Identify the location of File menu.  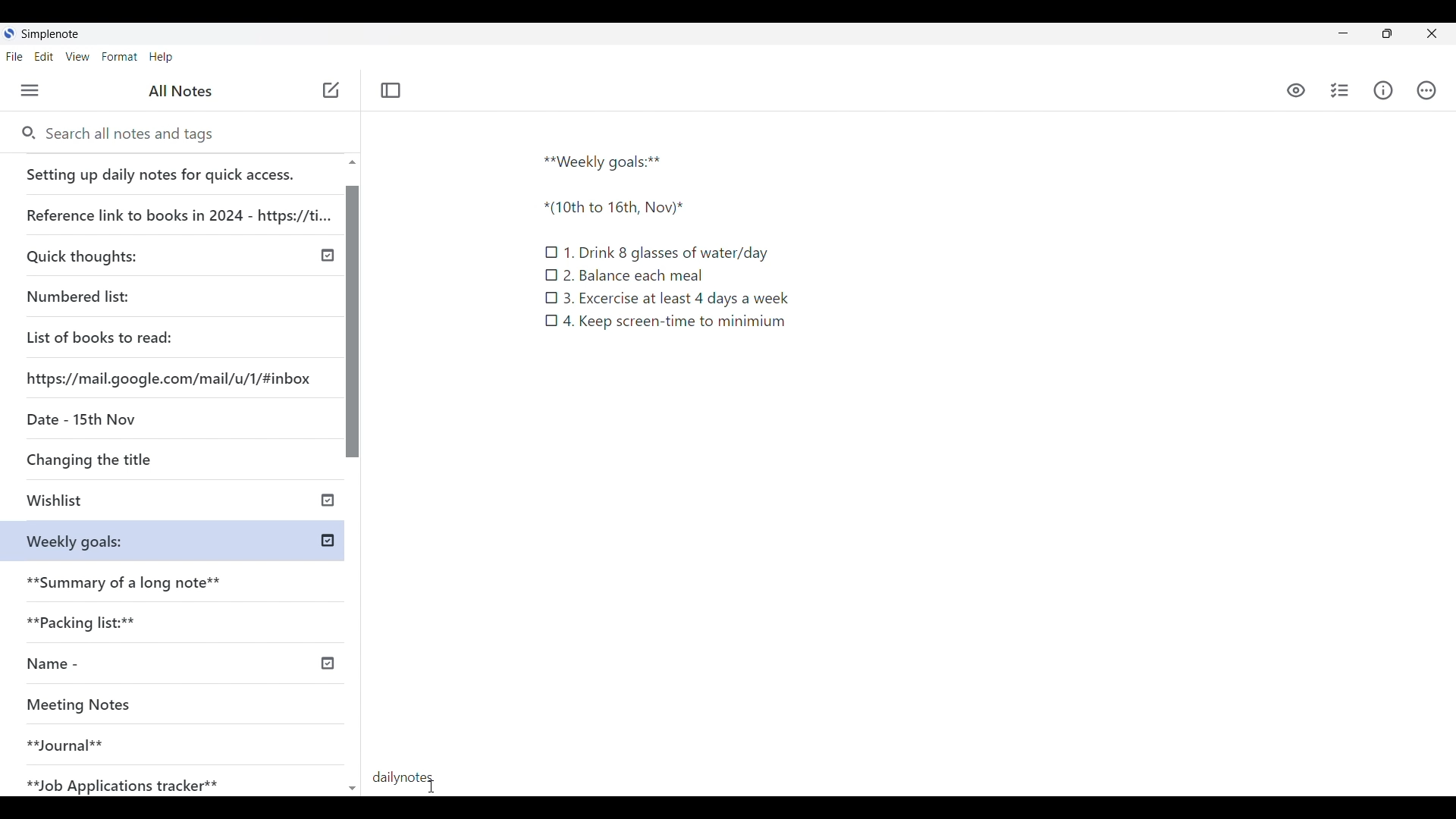
(14, 57).